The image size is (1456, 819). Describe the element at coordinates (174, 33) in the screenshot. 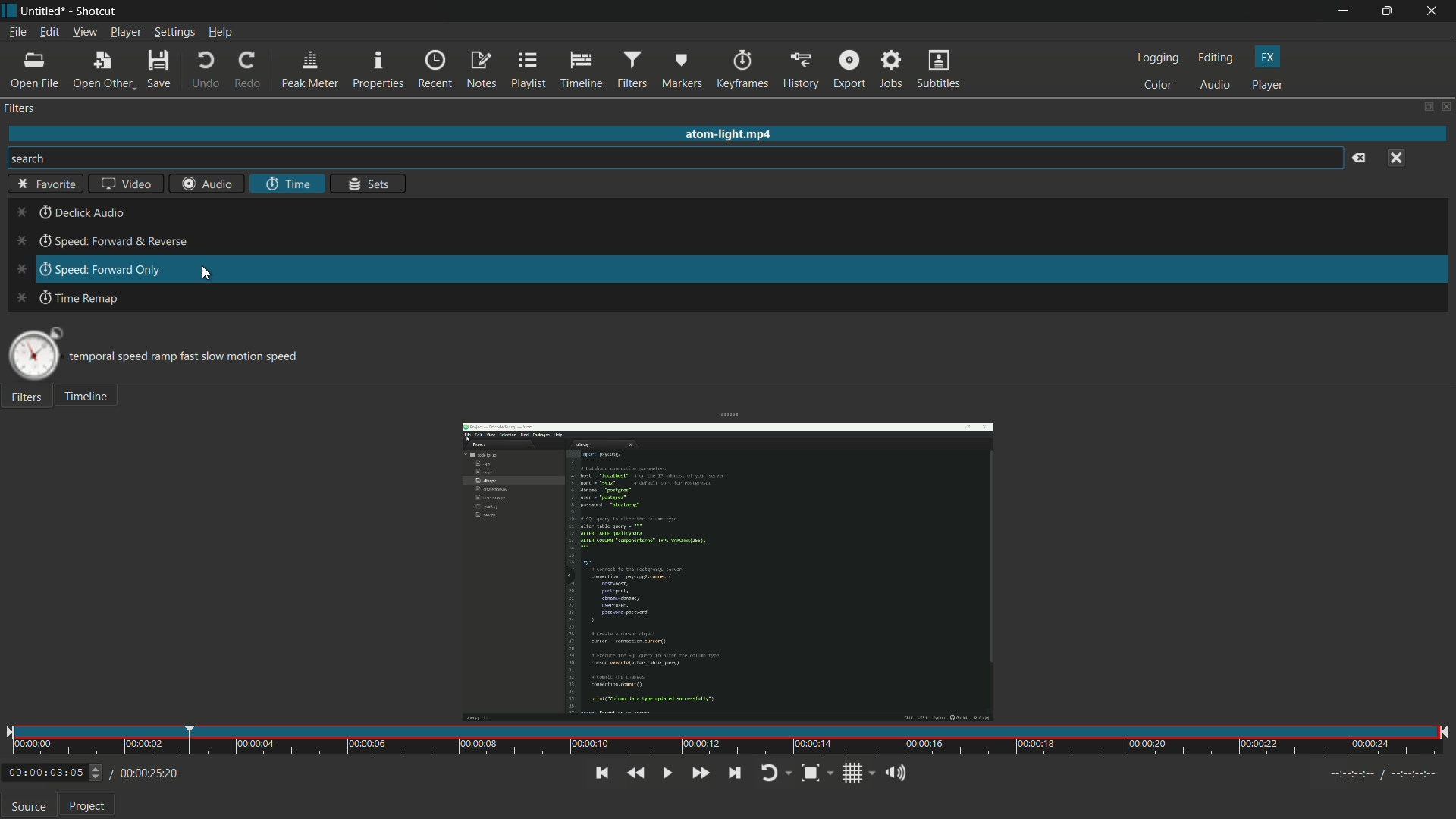

I see `settings menu` at that location.